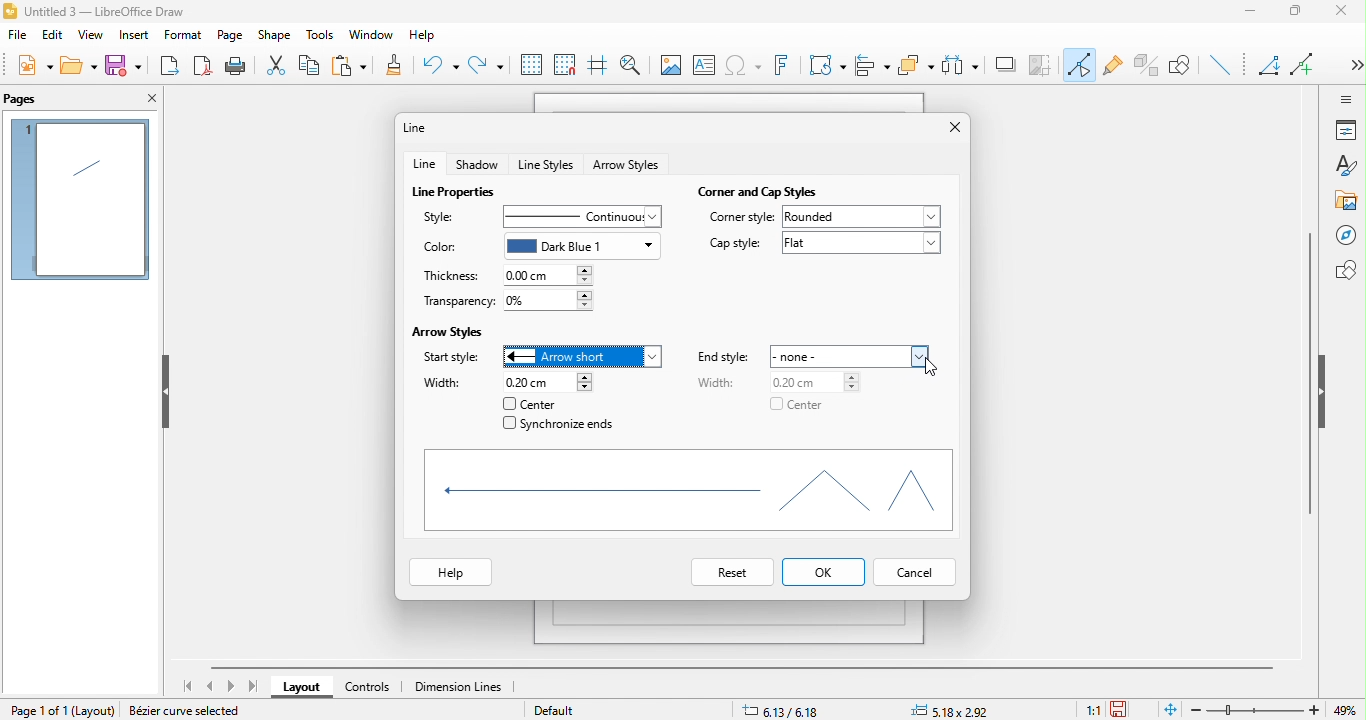 The width and height of the screenshot is (1366, 720). What do you see at coordinates (1224, 66) in the screenshot?
I see `insert line` at bounding box center [1224, 66].